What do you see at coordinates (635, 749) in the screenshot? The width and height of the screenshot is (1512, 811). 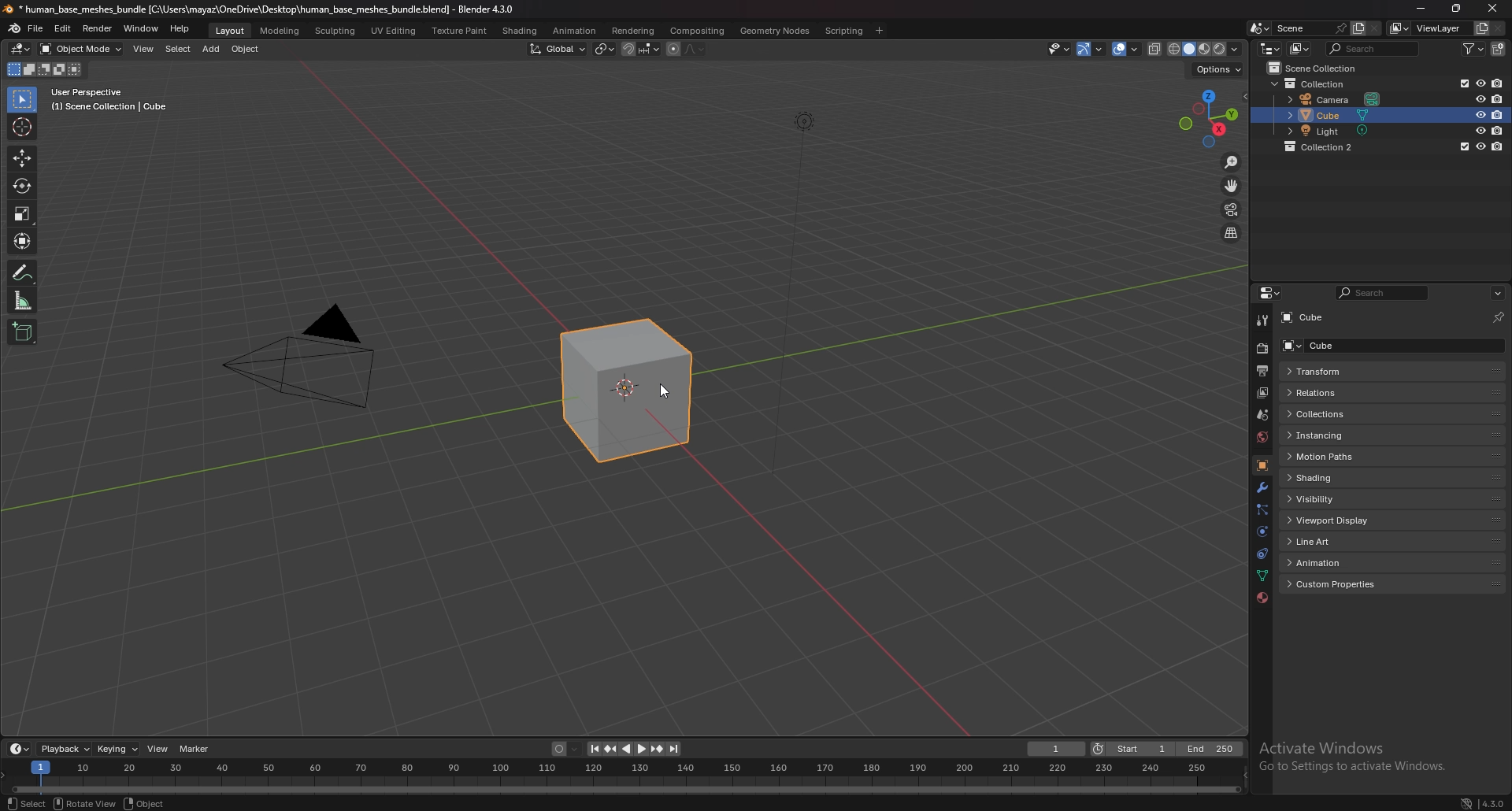 I see `play animation` at bounding box center [635, 749].